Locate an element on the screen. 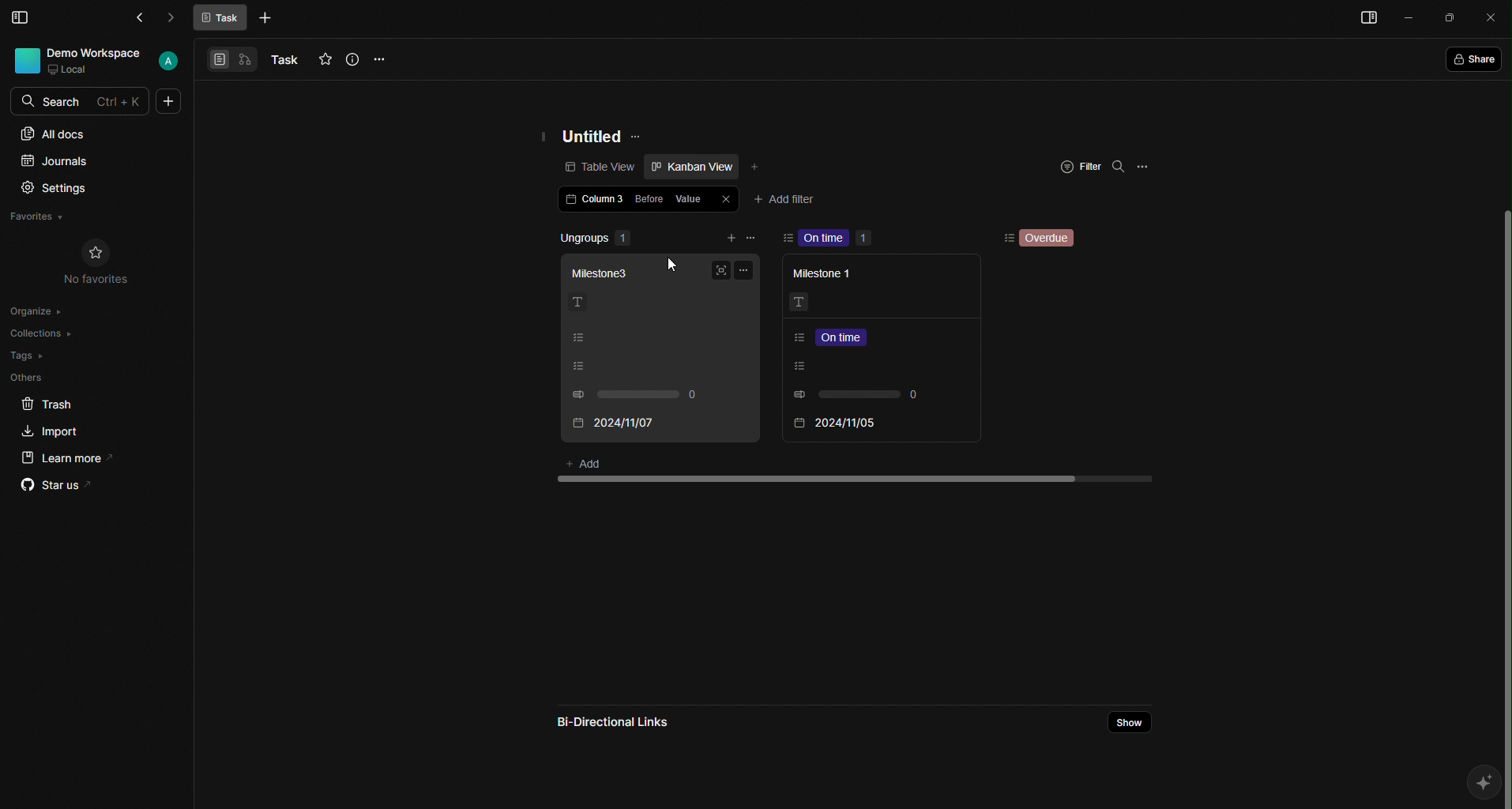  Options is located at coordinates (381, 58).